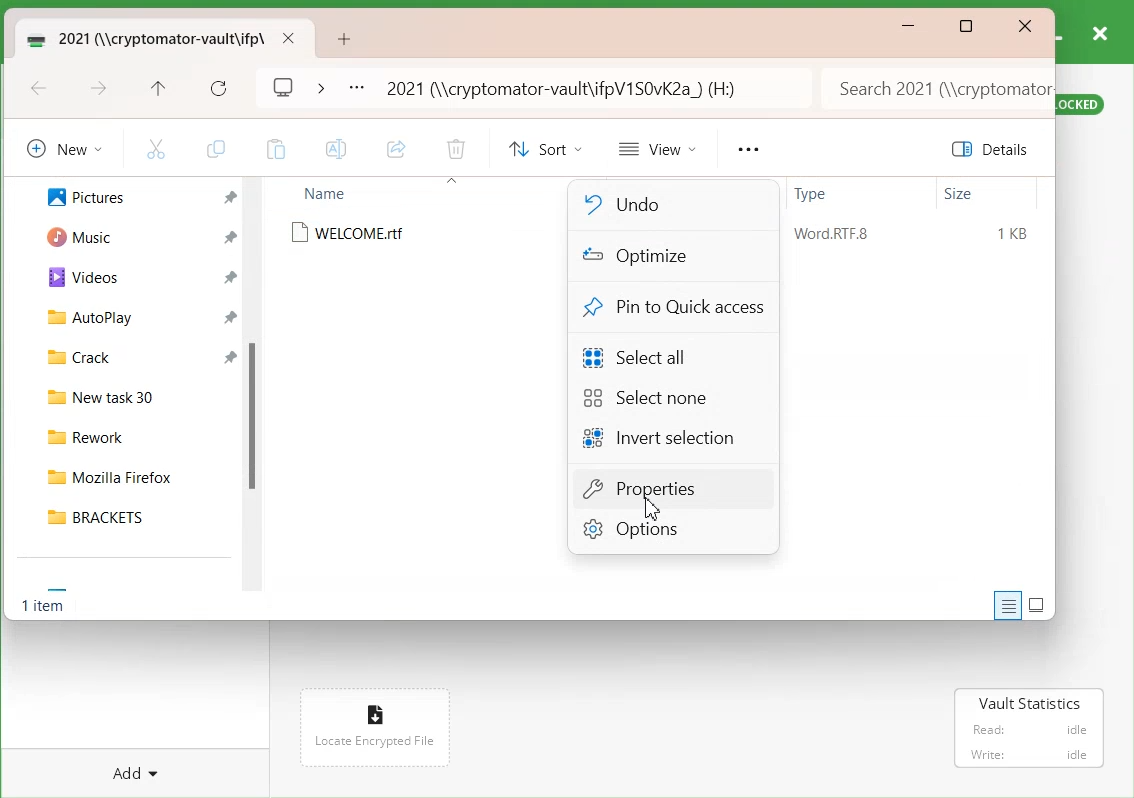 The height and width of the screenshot is (798, 1134). Describe the element at coordinates (257, 391) in the screenshot. I see `Scroll` at that location.